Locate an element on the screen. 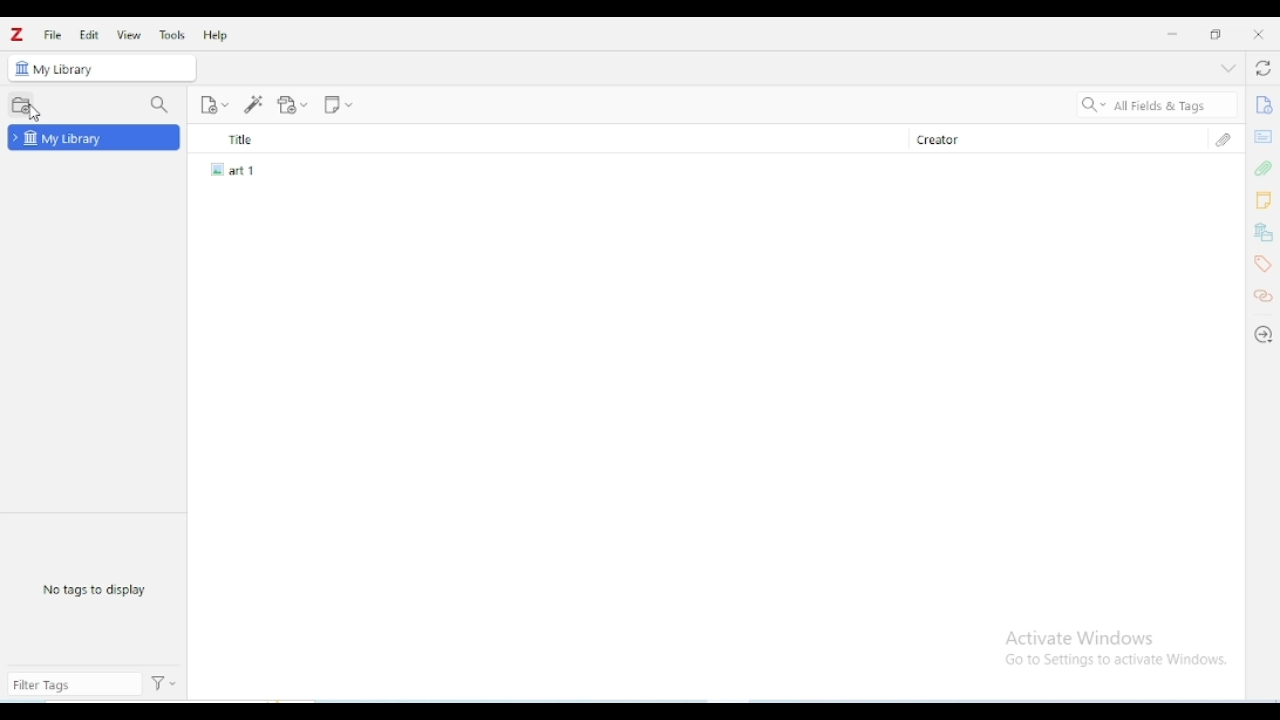 The image size is (1280, 720). add item(s) by identifier is located at coordinates (254, 104).